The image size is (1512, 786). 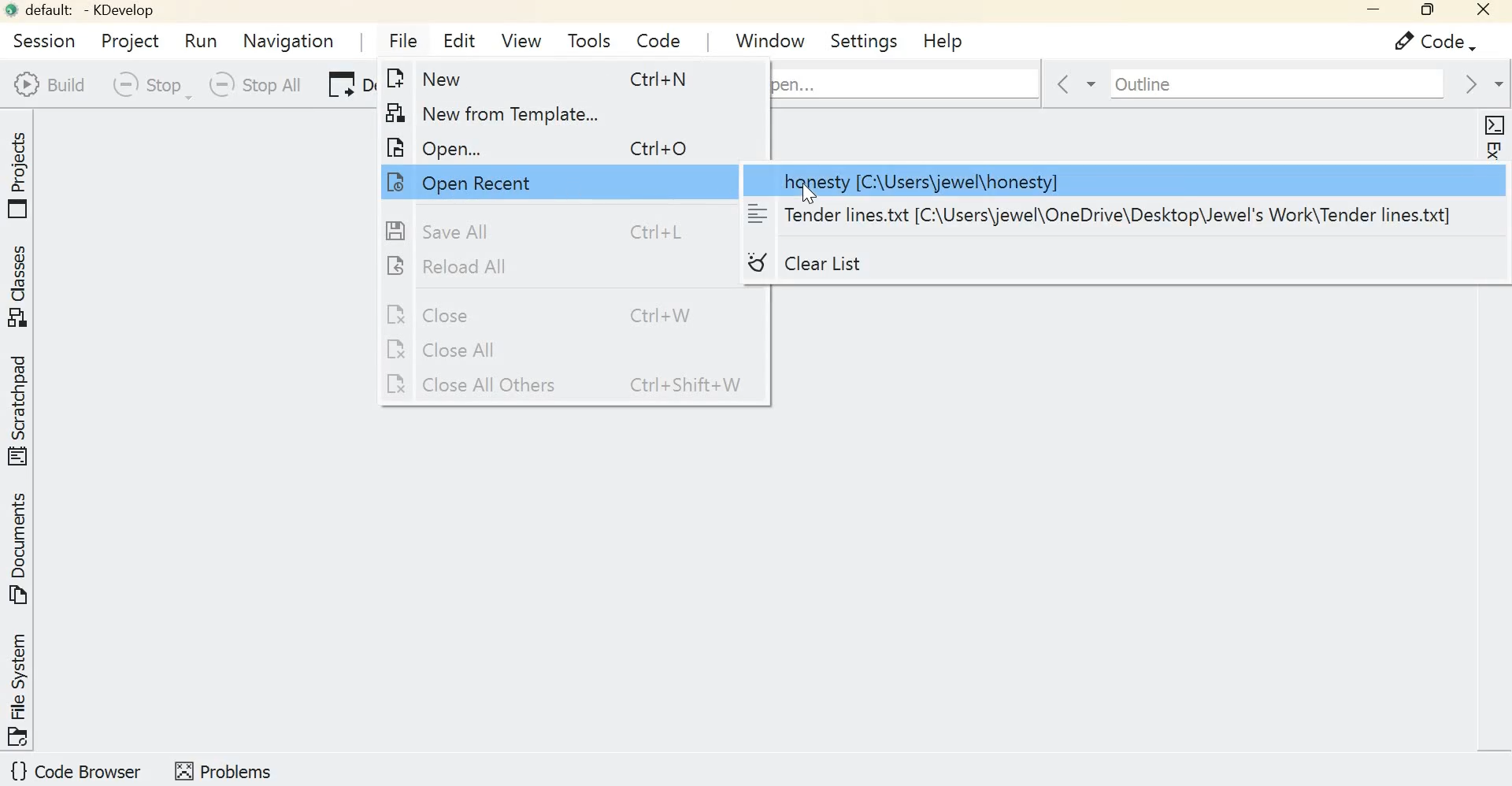 I want to click on Navigation, so click(x=290, y=40).